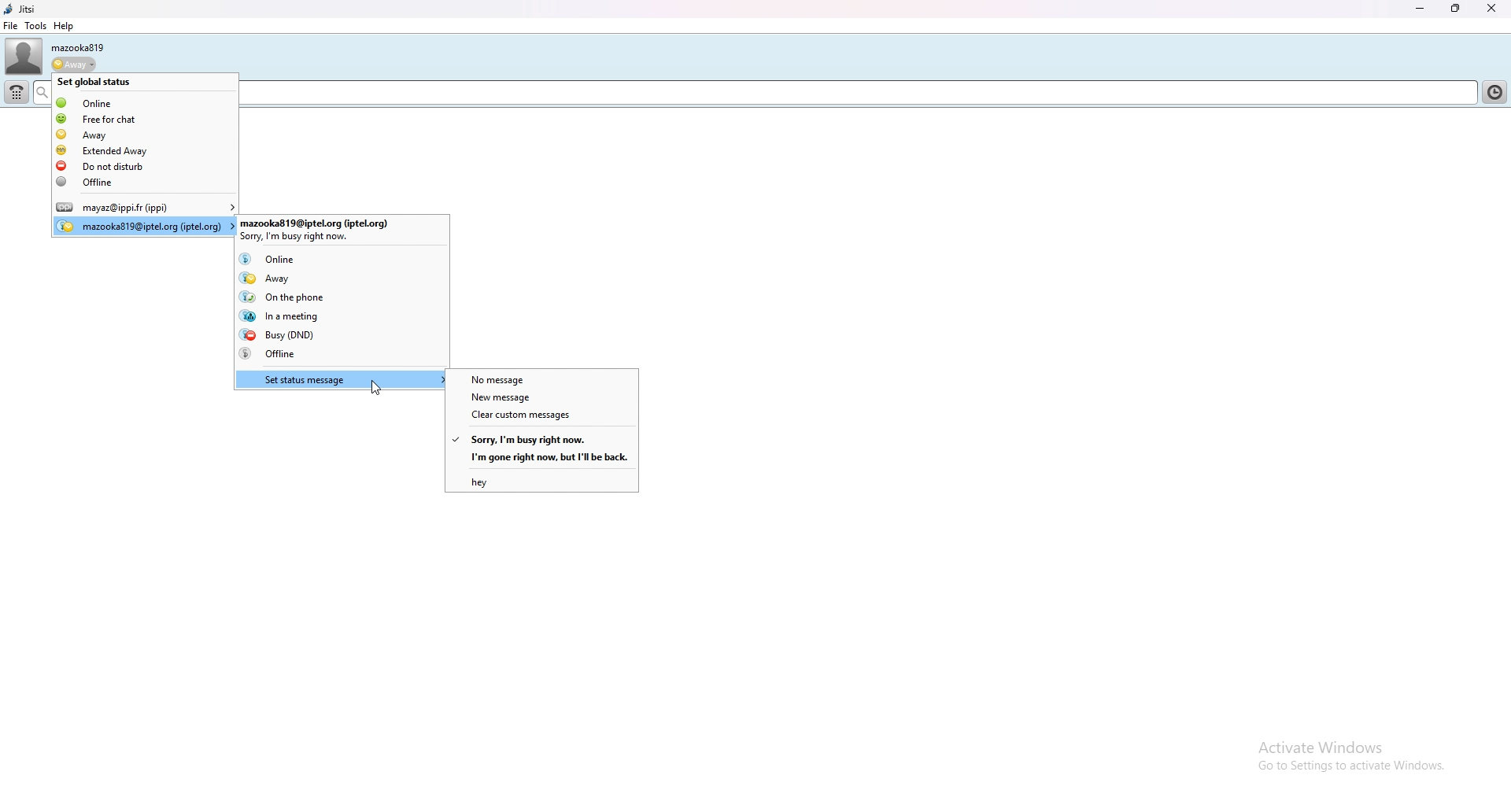 Image resolution: width=1511 pixels, height=812 pixels. I want to click on online, so click(146, 101).